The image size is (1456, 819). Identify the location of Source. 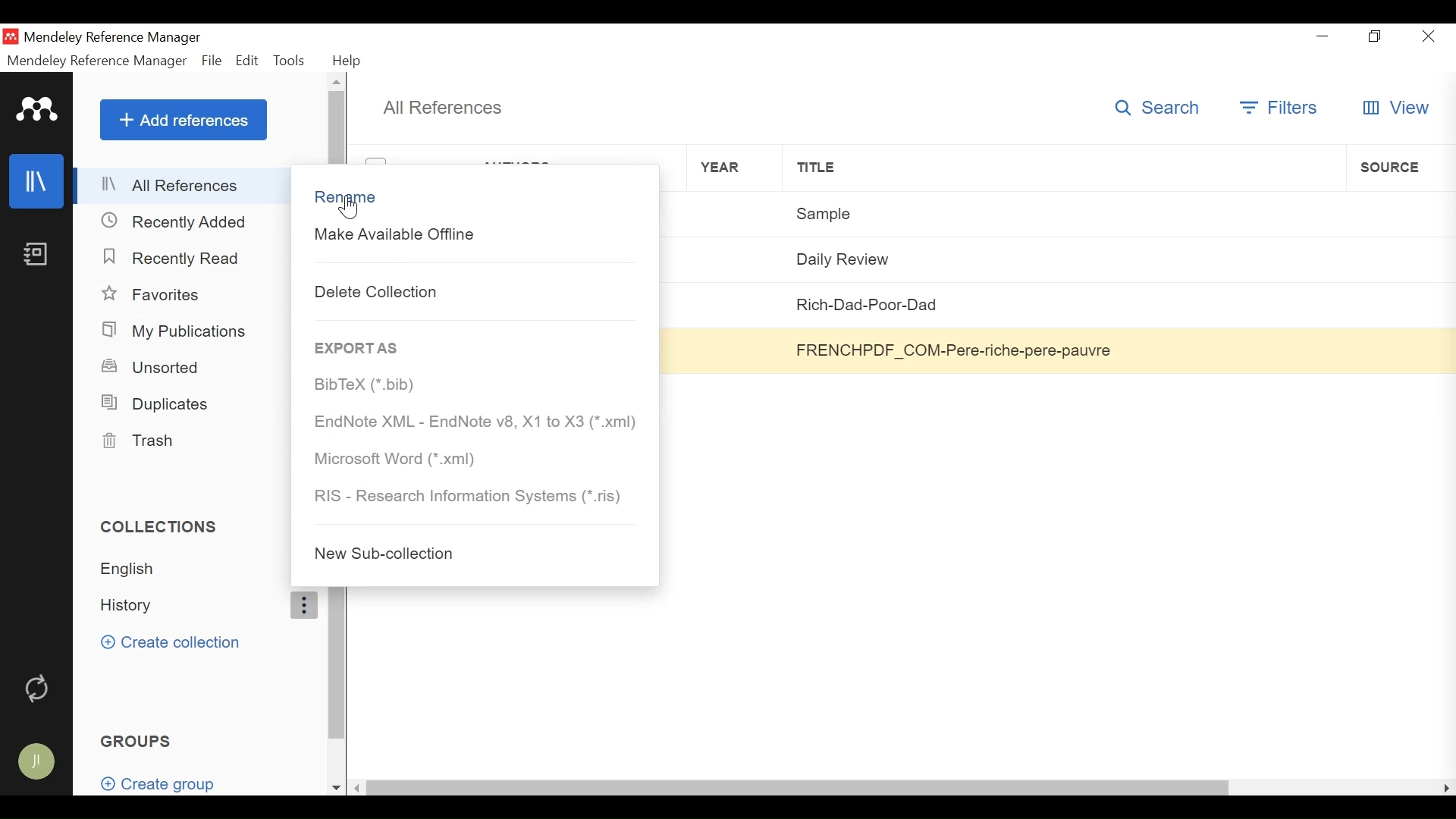
(1400, 211).